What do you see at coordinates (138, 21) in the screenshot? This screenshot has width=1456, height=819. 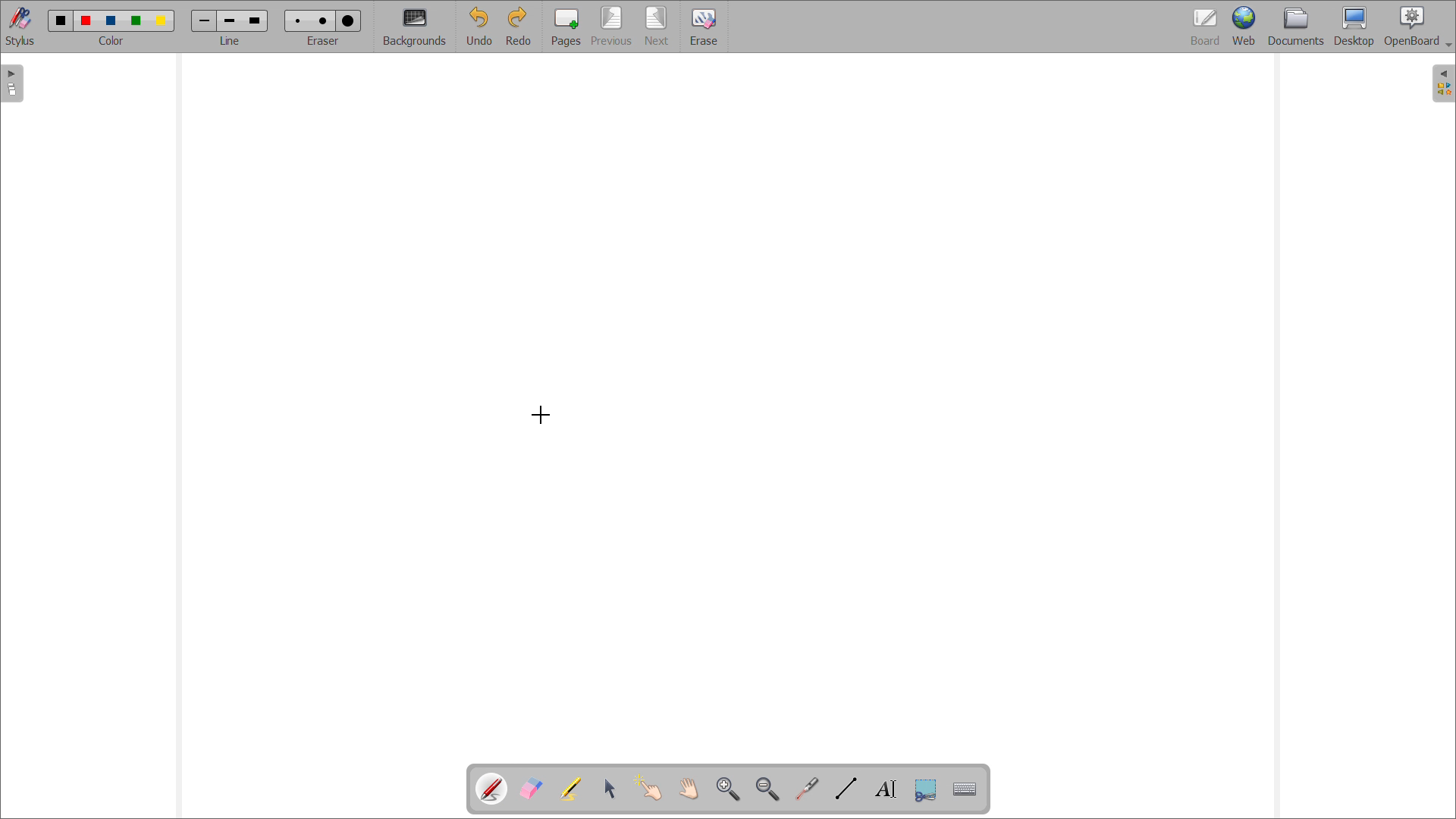 I see `color` at bounding box center [138, 21].